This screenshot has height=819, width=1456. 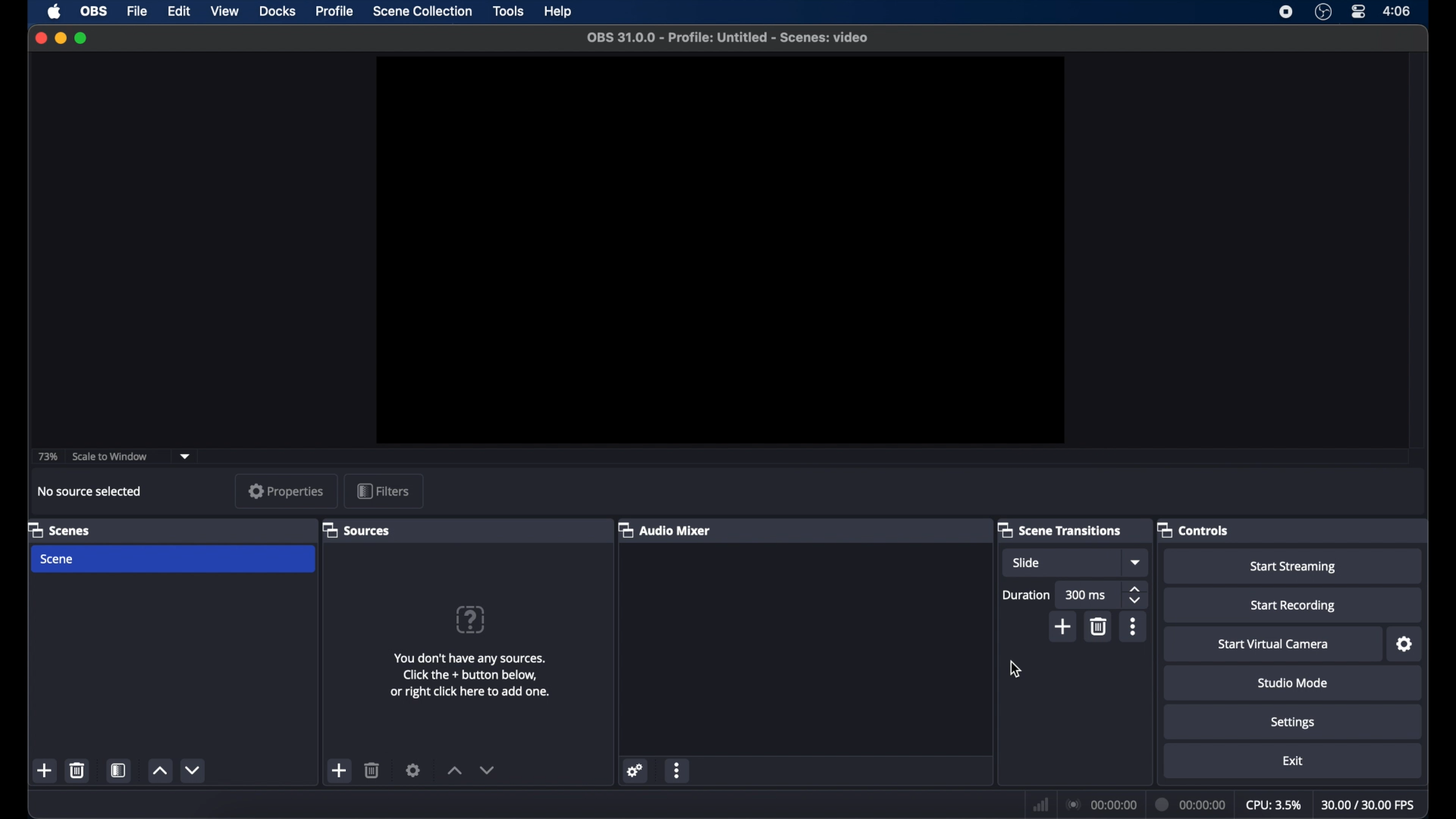 What do you see at coordinates (1273, 645) in the screenshot?
I see `start virtual camera` at bounding box center [1273, 645].